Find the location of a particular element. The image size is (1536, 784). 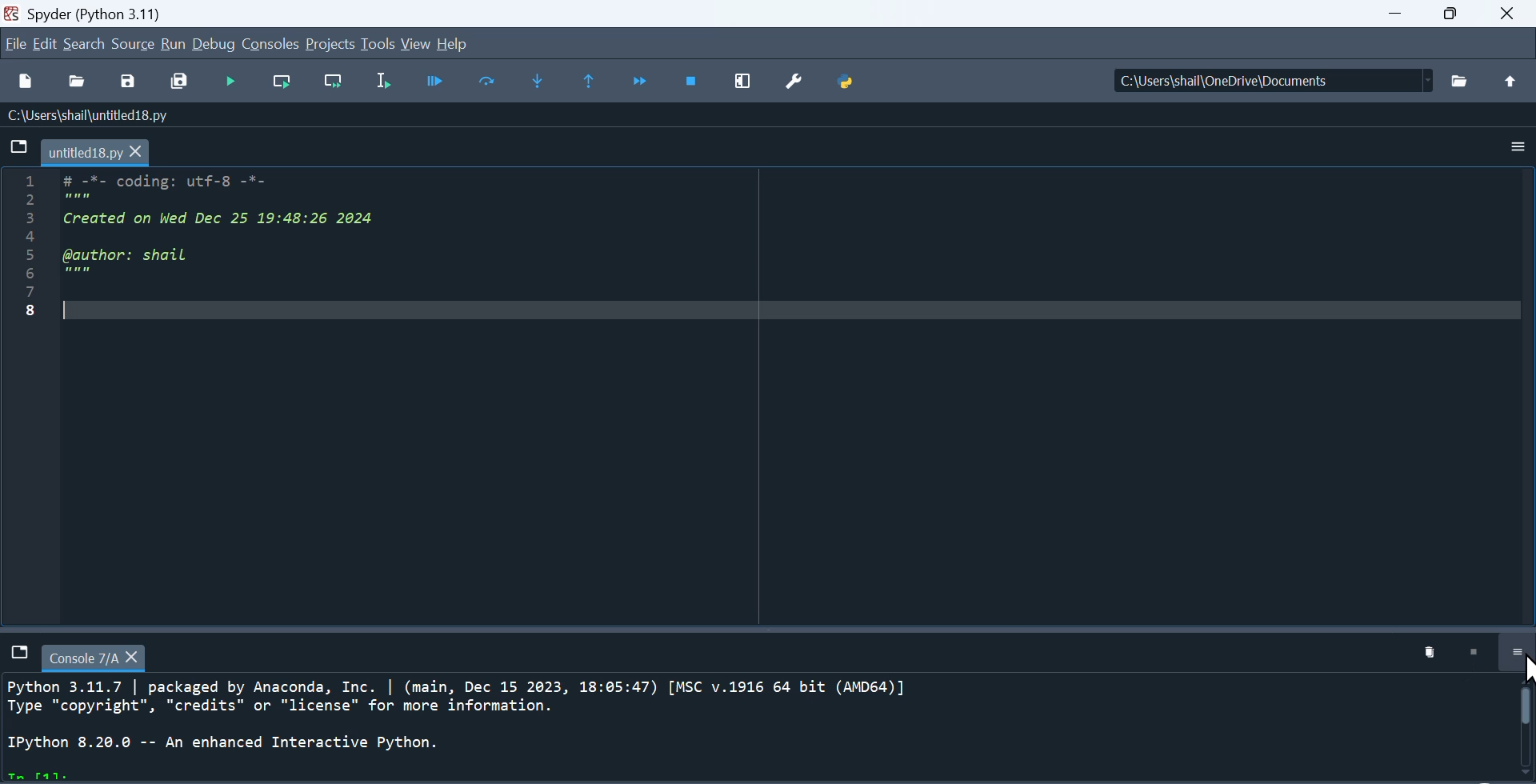

open directory is located at coordinates (1463, 78).